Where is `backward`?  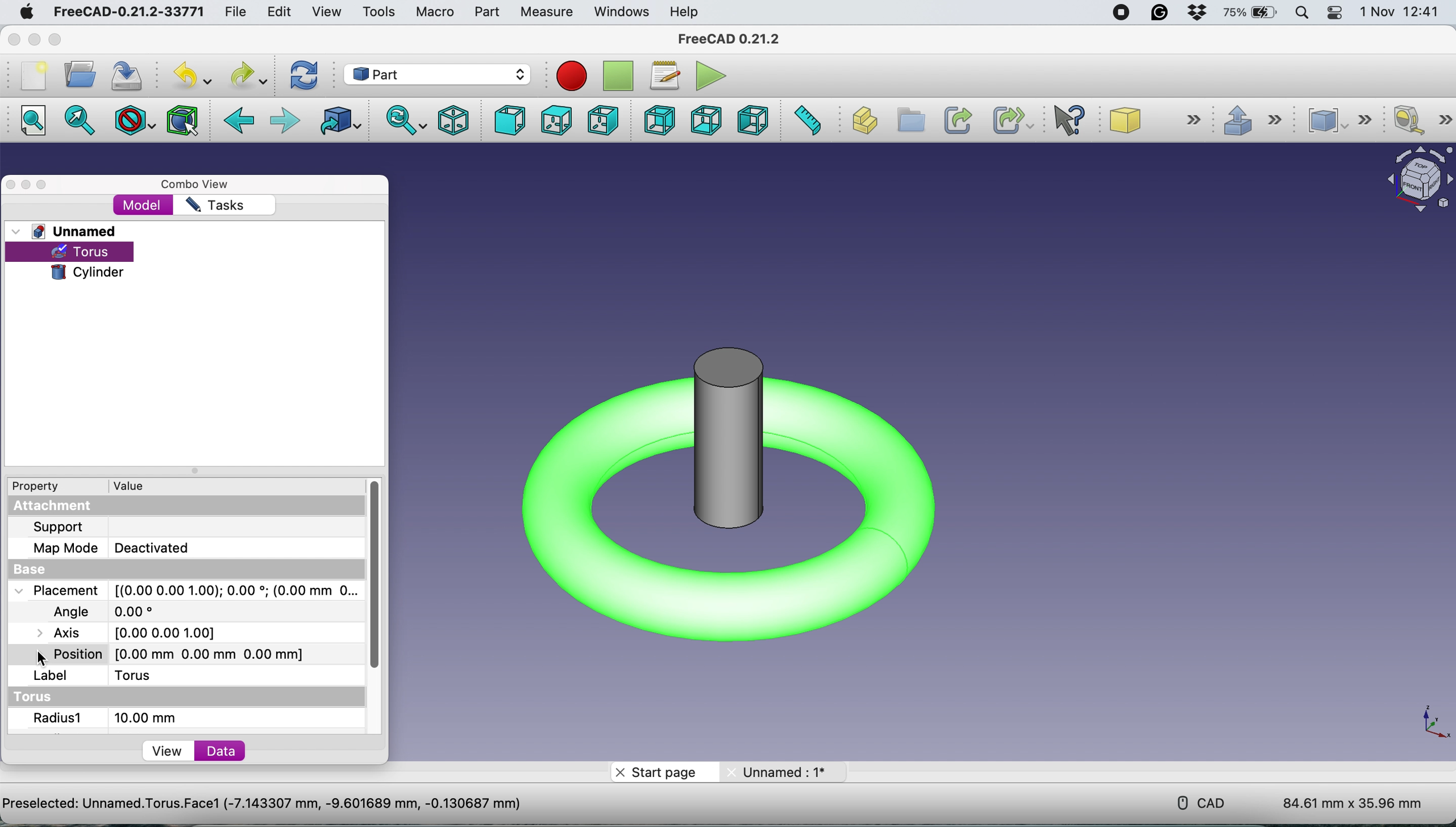 backward is located at coordinates (242, 122).